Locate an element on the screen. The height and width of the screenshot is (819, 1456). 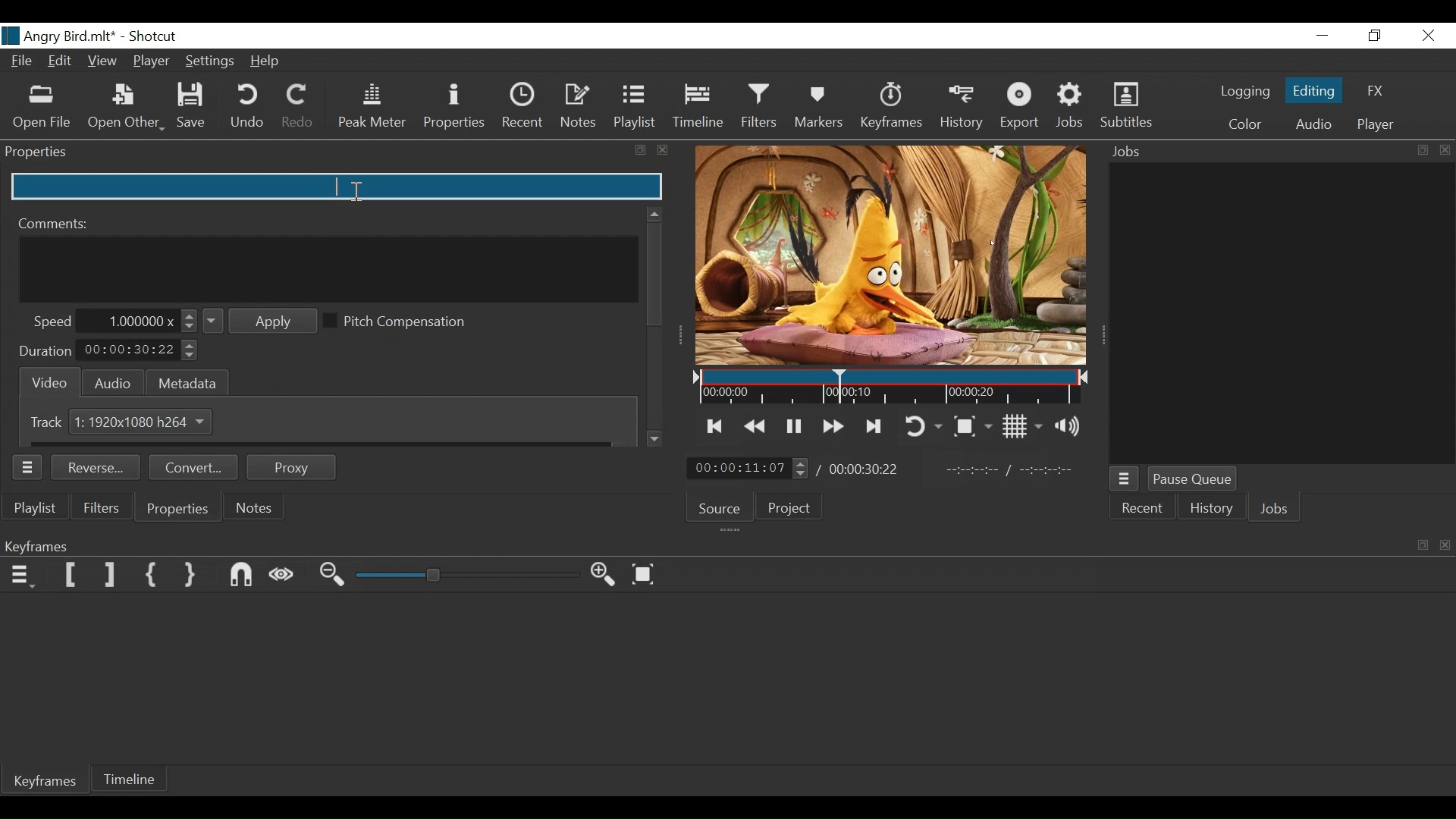
Show volume control is located at coordinates (1072, 428).